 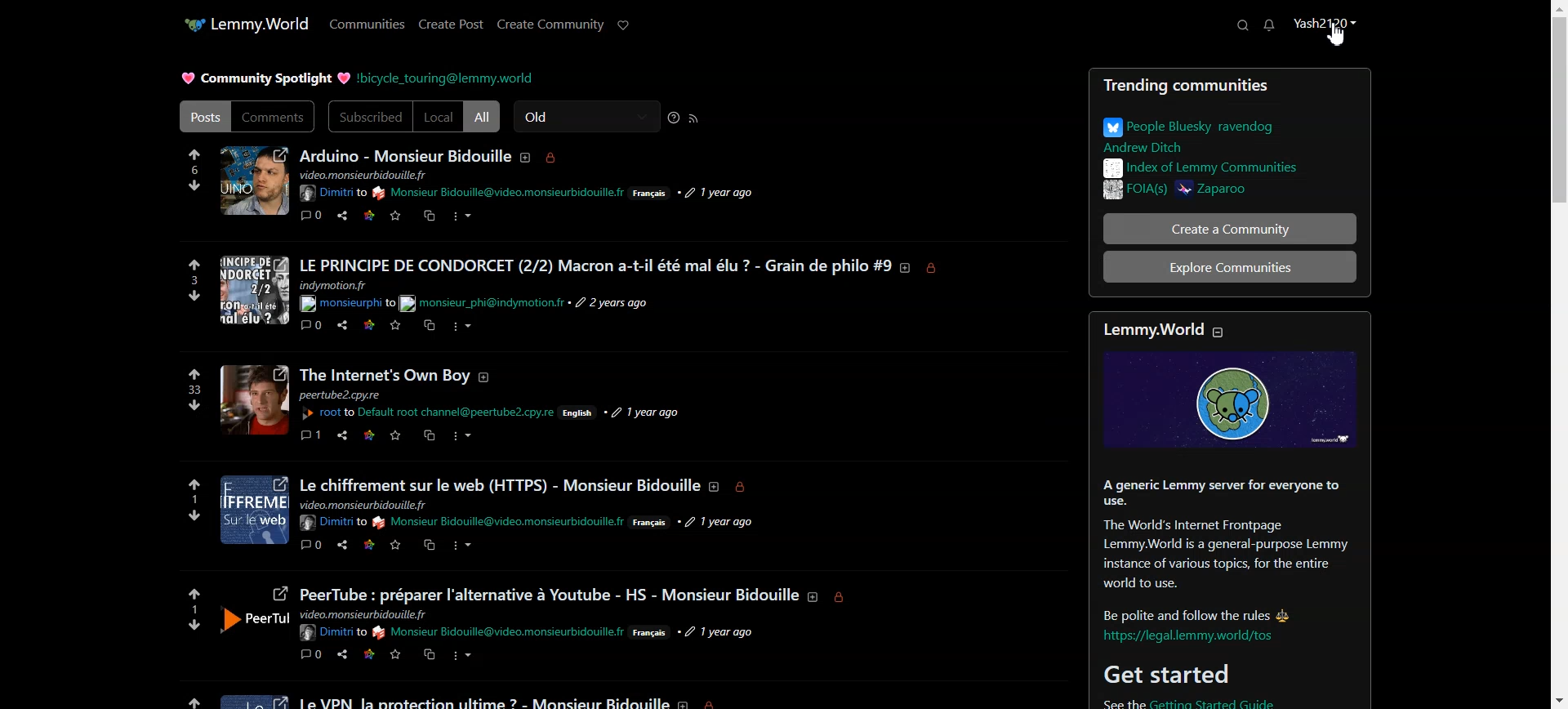 I want to click on save, so click(x=396, y=327).